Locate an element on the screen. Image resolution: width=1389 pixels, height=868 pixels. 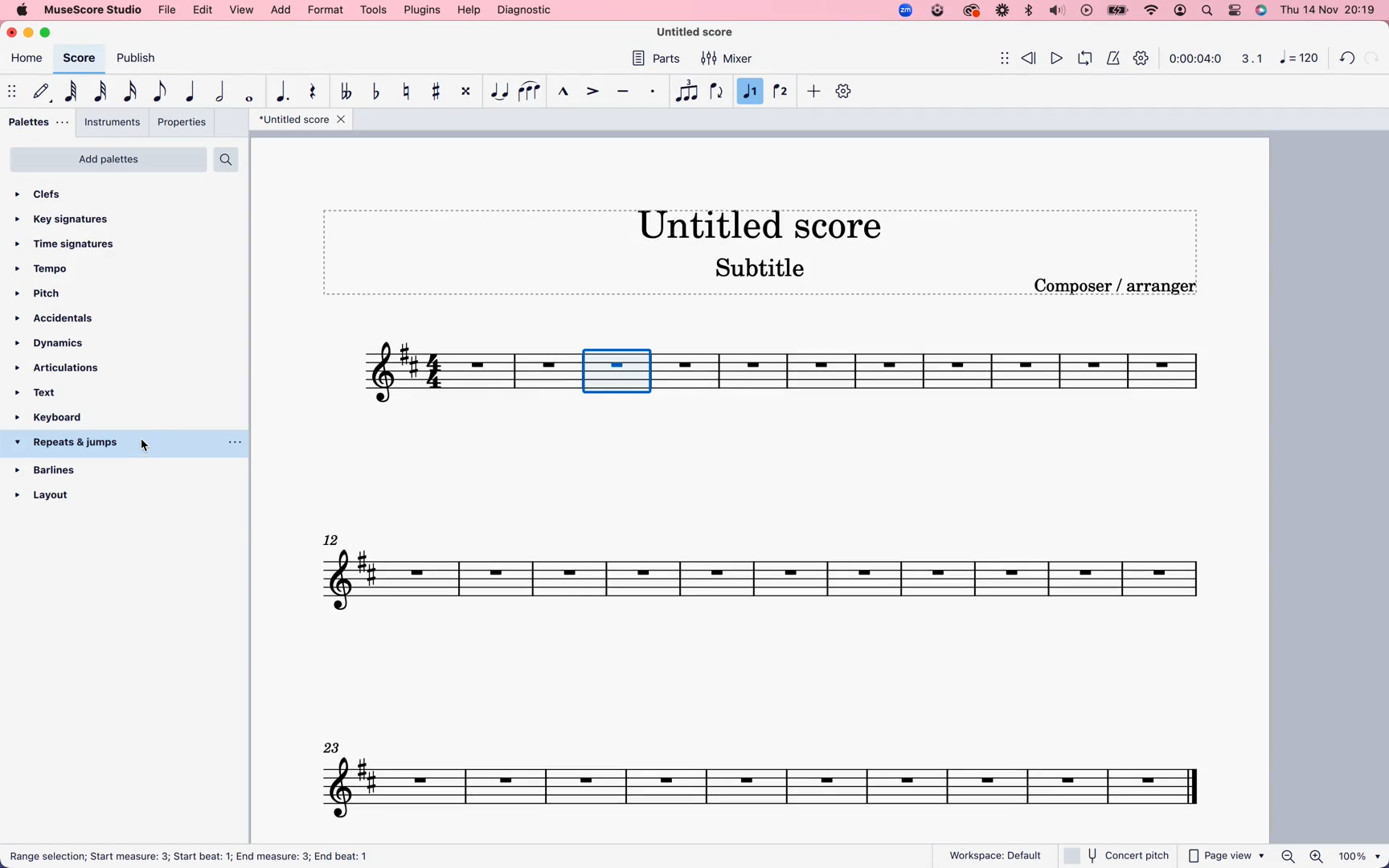
time is located at coordinates (1196, 59).